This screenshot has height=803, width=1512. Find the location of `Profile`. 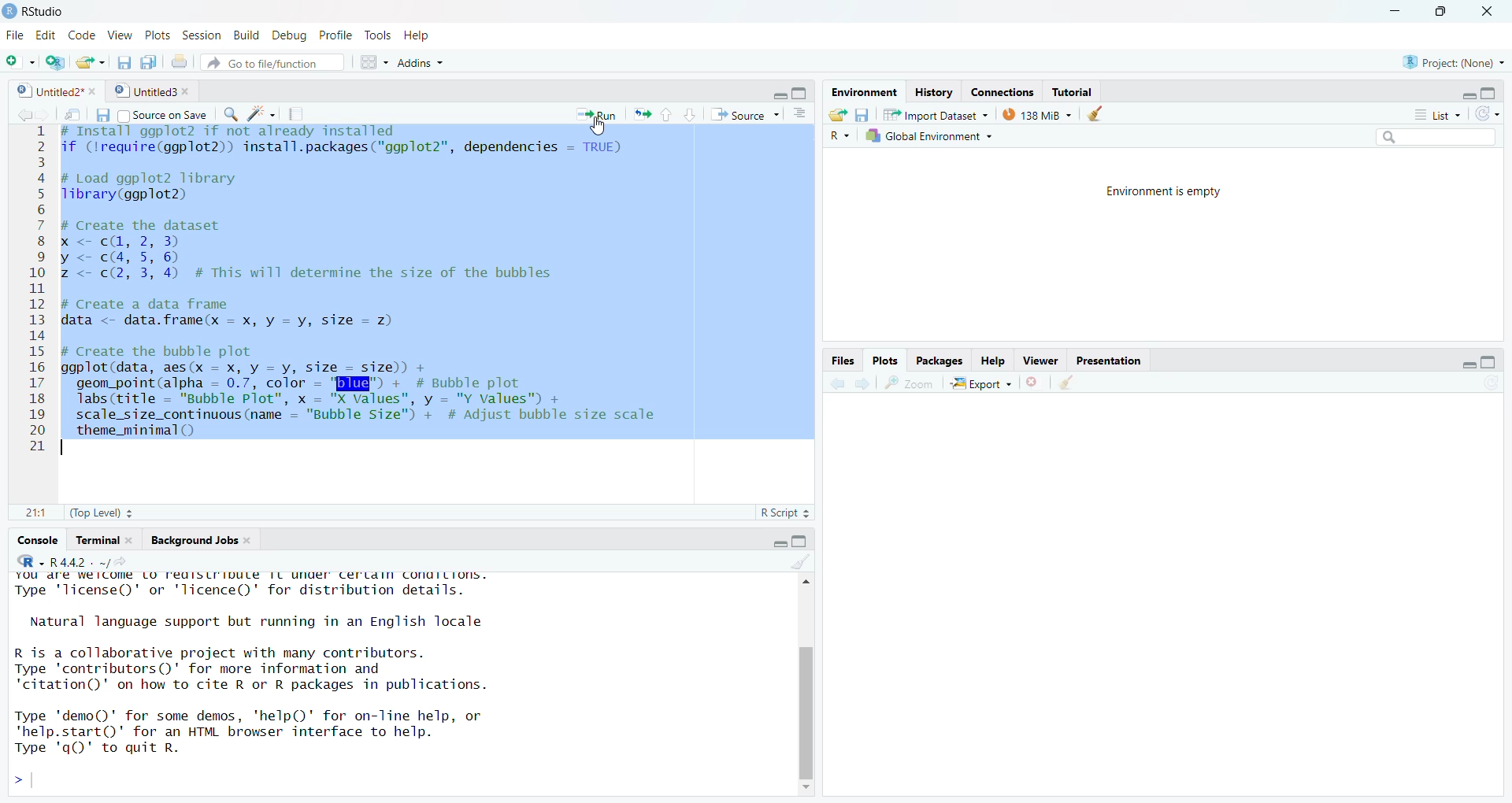

Profile is located at coordinates (336, 35).